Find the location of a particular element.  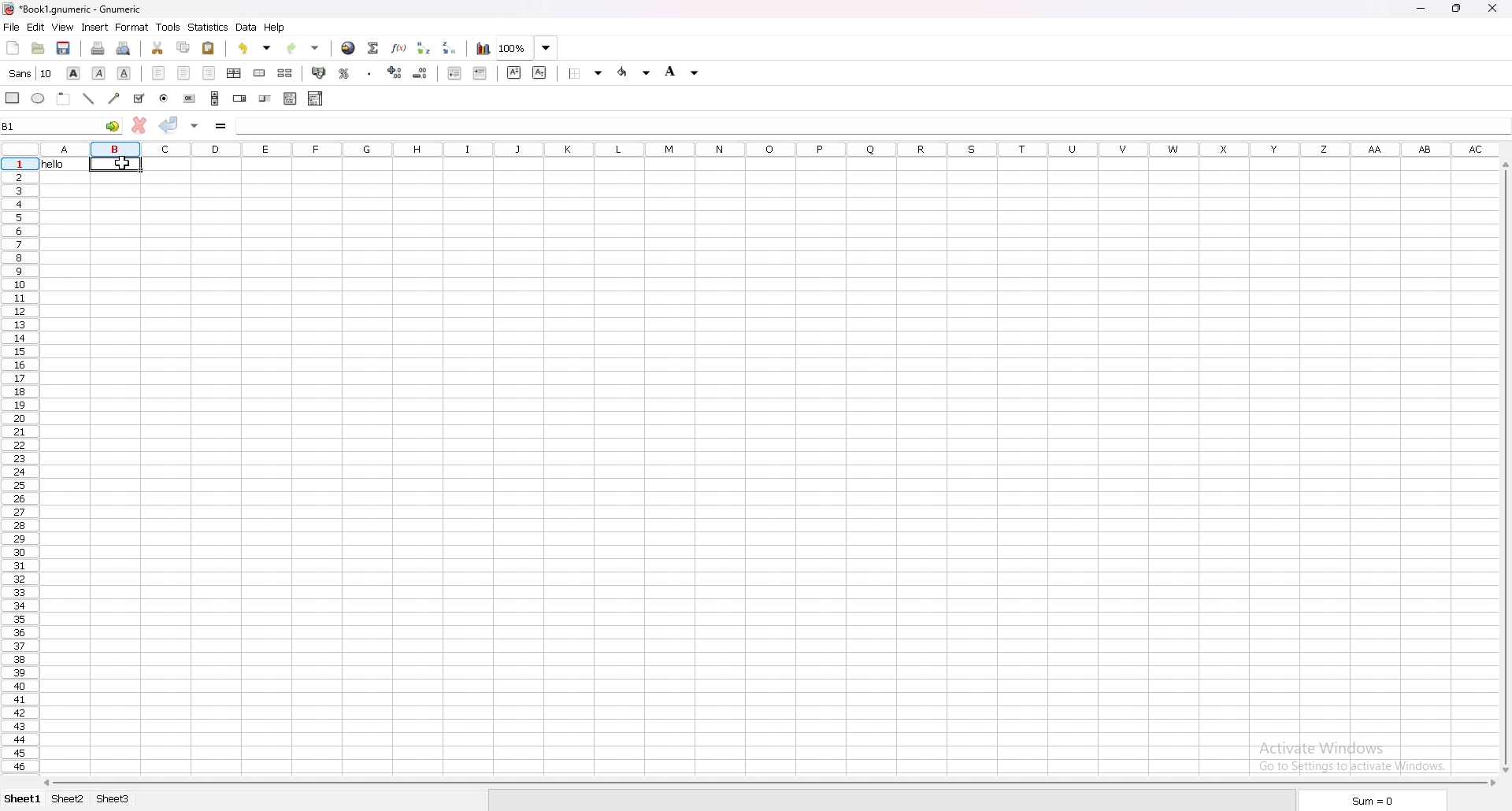

copy is located at coordinates (183, 46).